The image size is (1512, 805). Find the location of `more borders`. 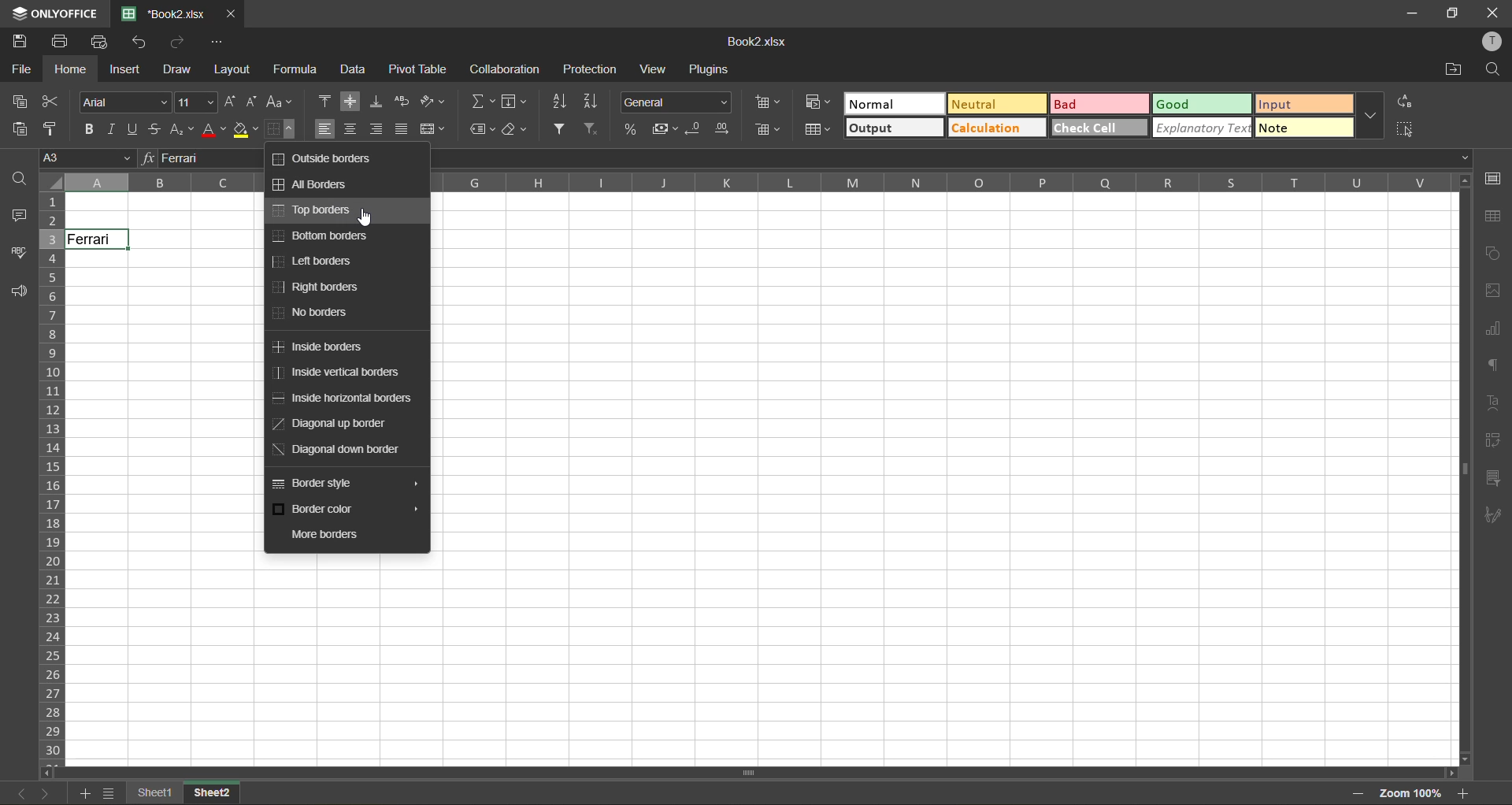

more borders is located at coordinates (325, 533).